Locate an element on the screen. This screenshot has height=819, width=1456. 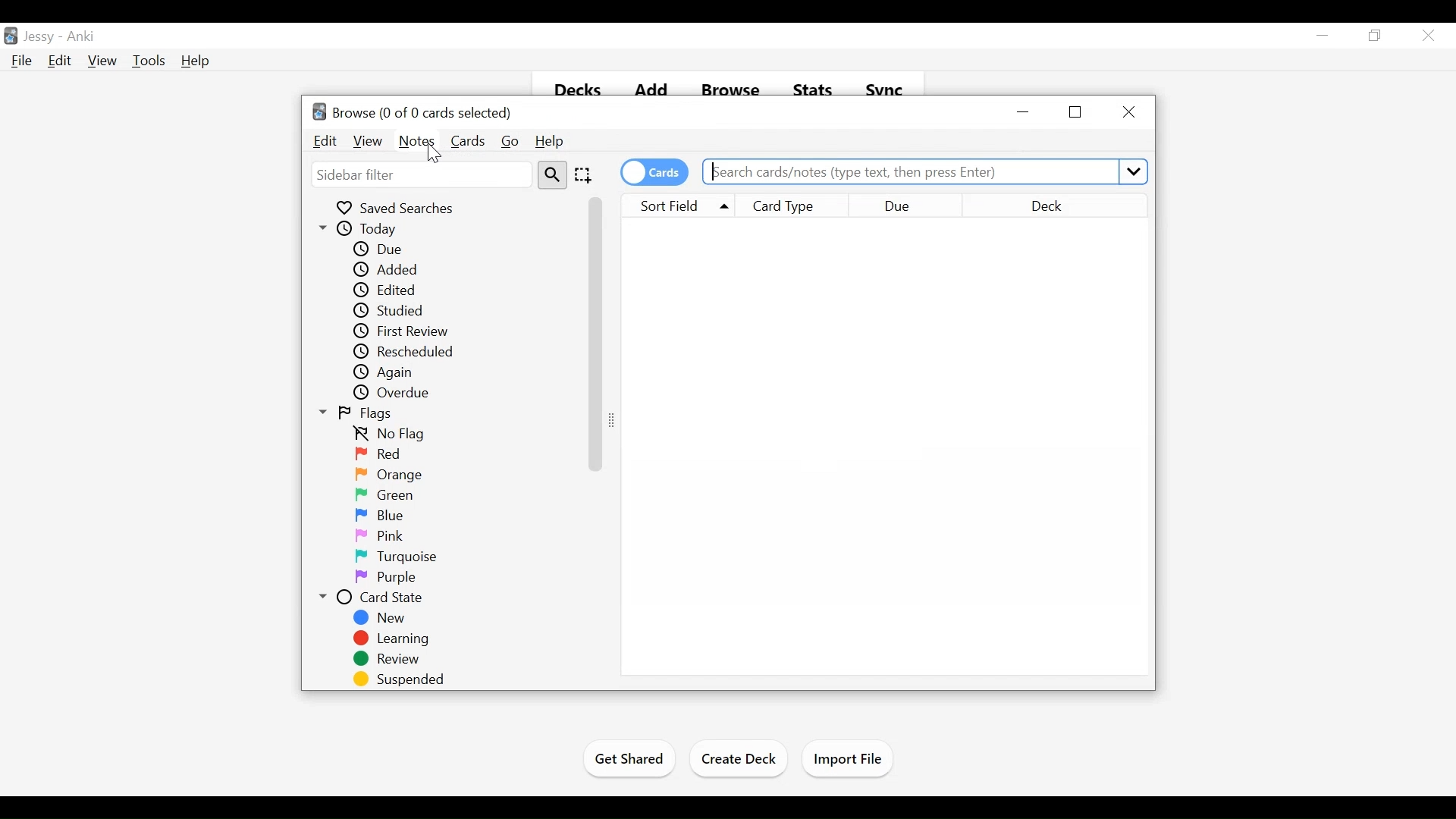
Decks is located at coordinates (573, 86).